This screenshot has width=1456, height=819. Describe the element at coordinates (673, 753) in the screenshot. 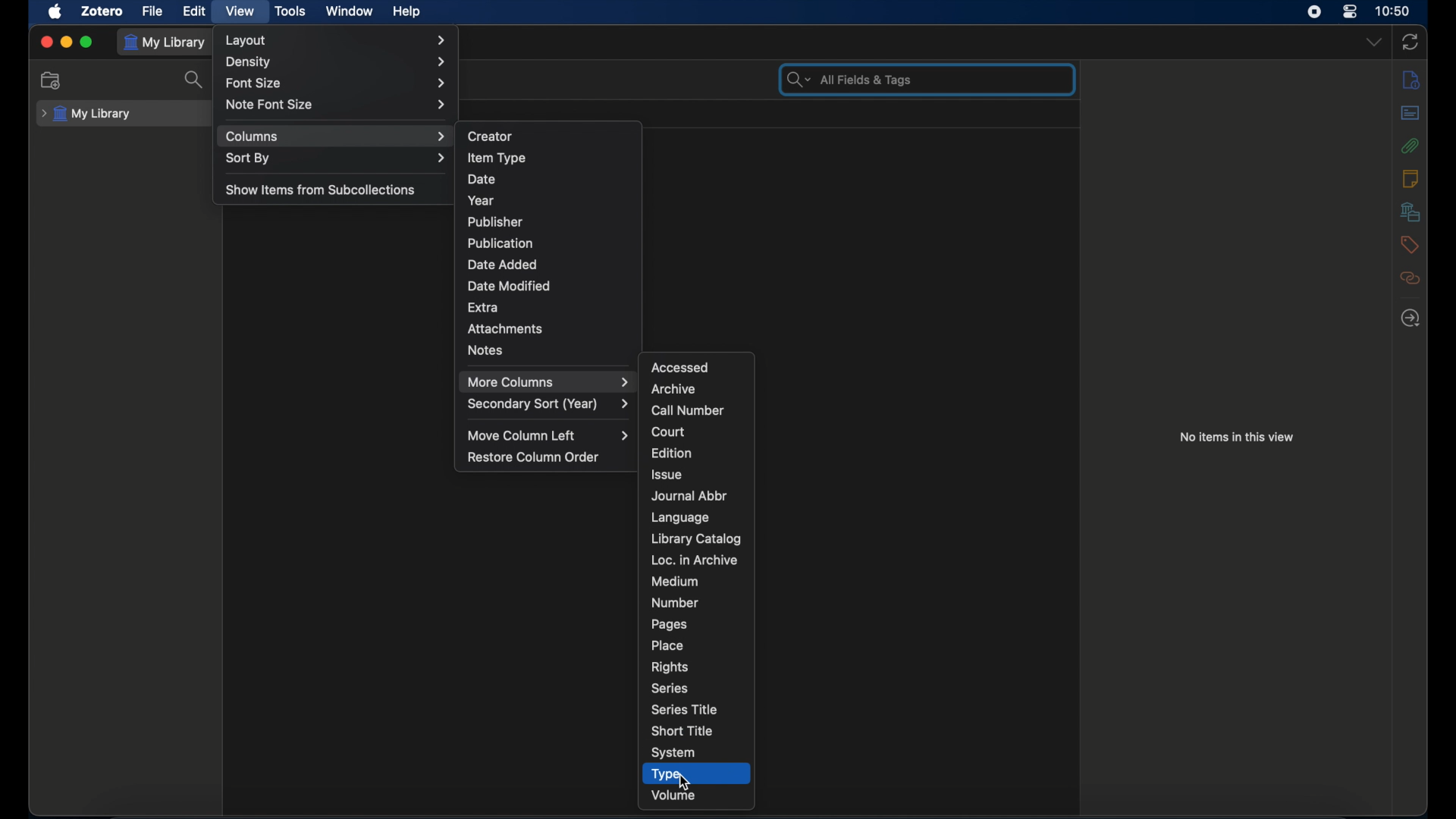

I see `system` at that location.